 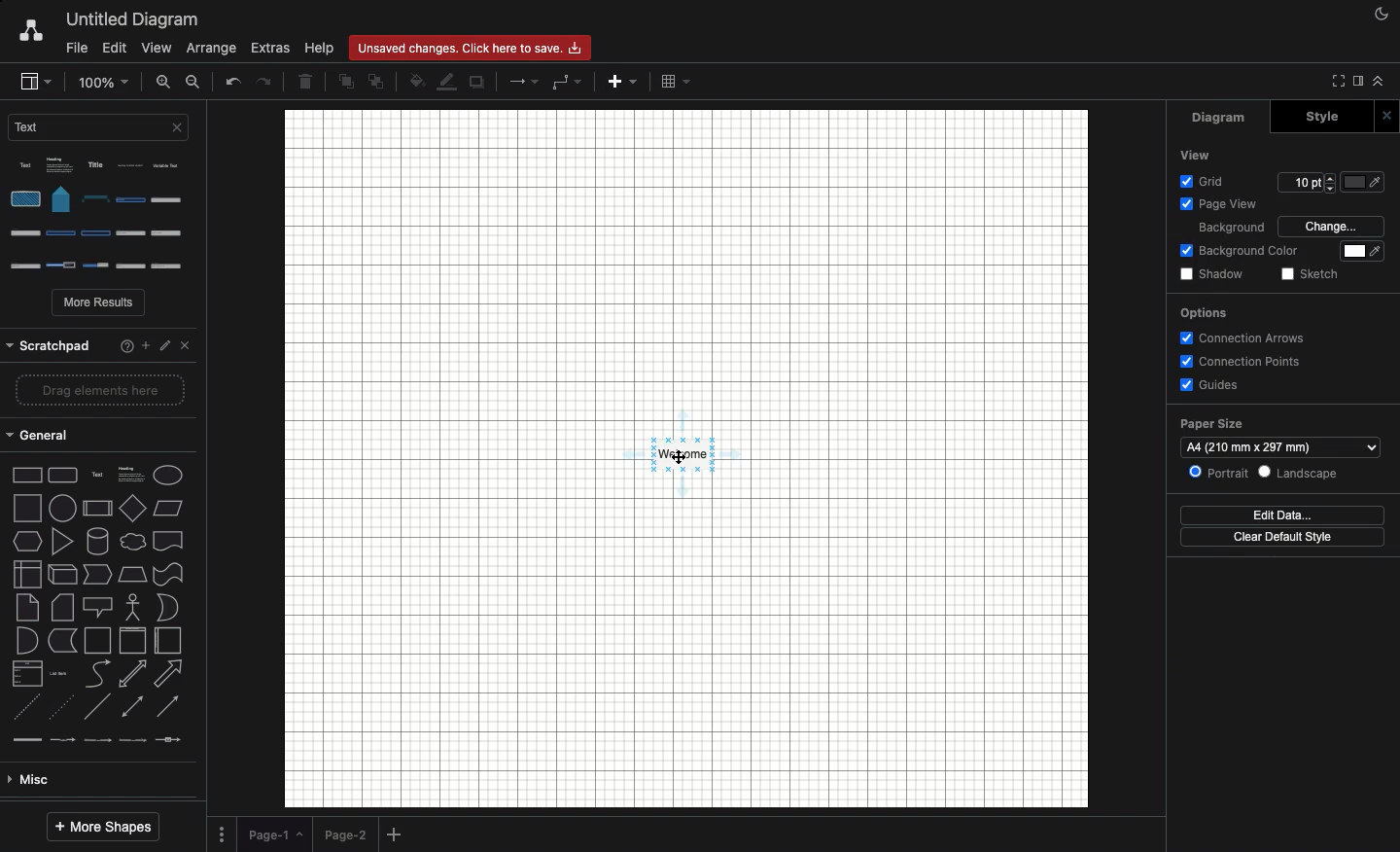 I want to click on Edit data, so click(x=1284, y=515).